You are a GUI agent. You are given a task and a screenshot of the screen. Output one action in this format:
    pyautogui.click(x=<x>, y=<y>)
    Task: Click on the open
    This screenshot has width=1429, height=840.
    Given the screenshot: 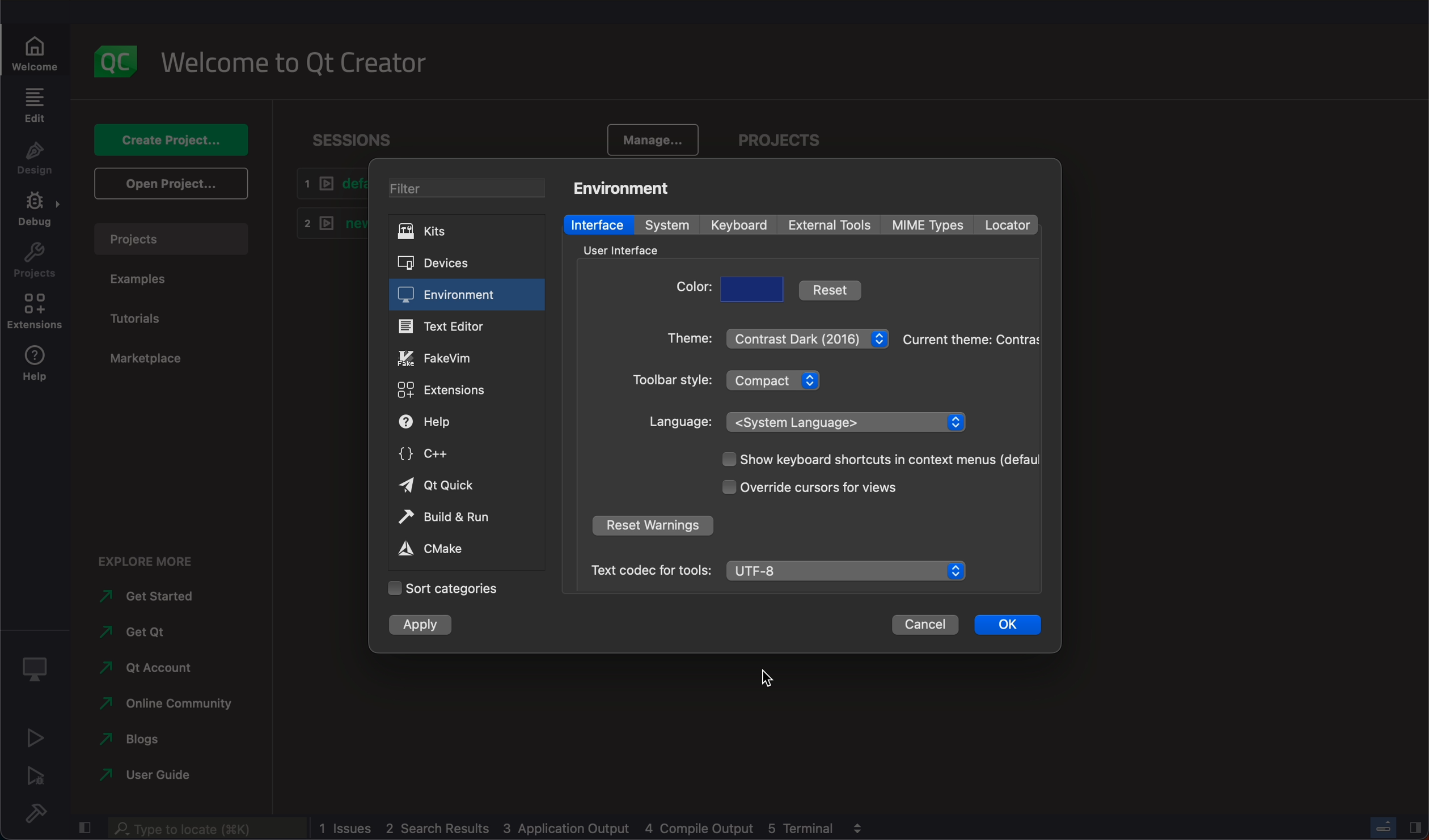 What is the action you would take?
    pyautogui.click(x=169, y=183)
    